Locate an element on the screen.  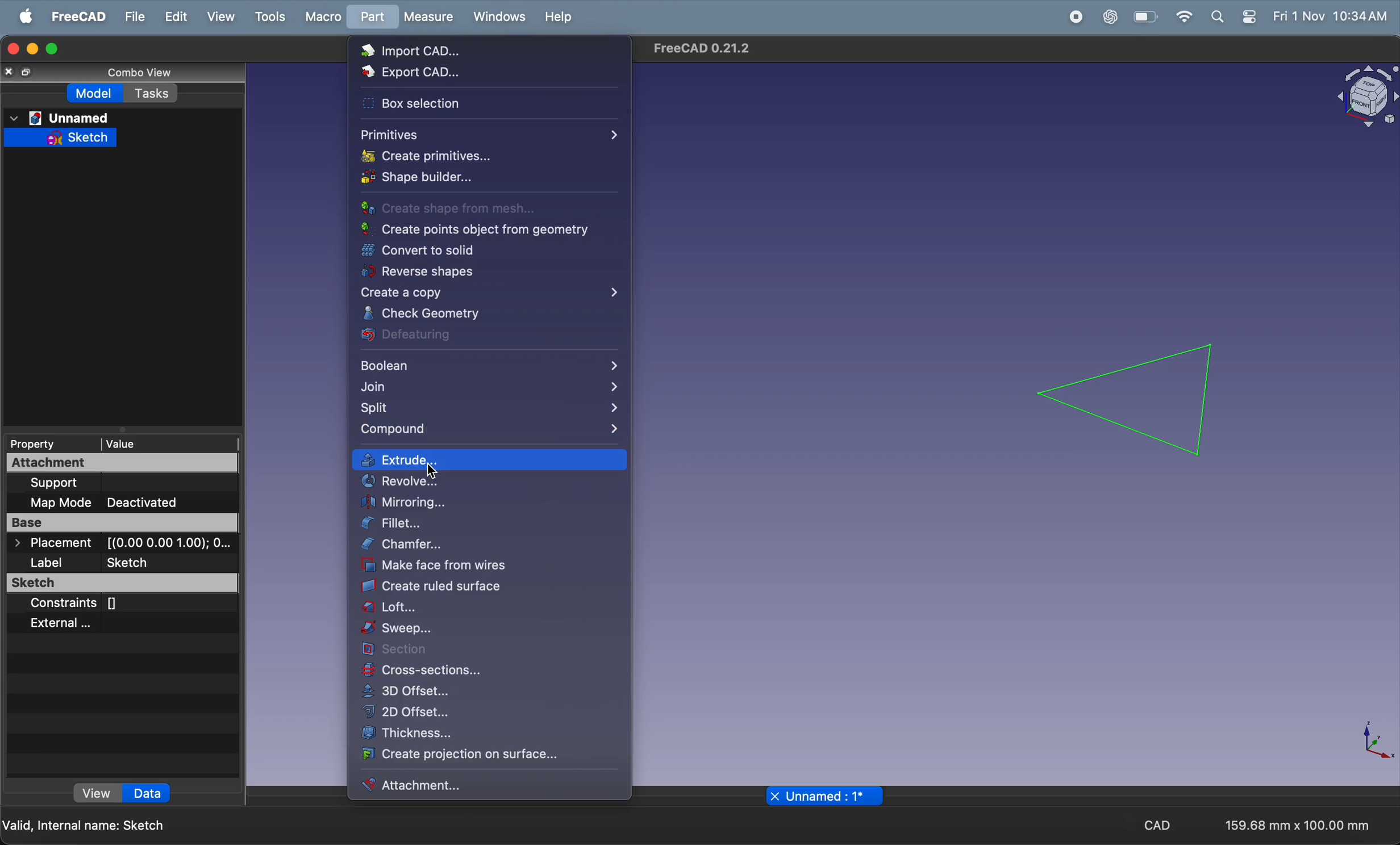
fillet is located at coordinates (489, 525).